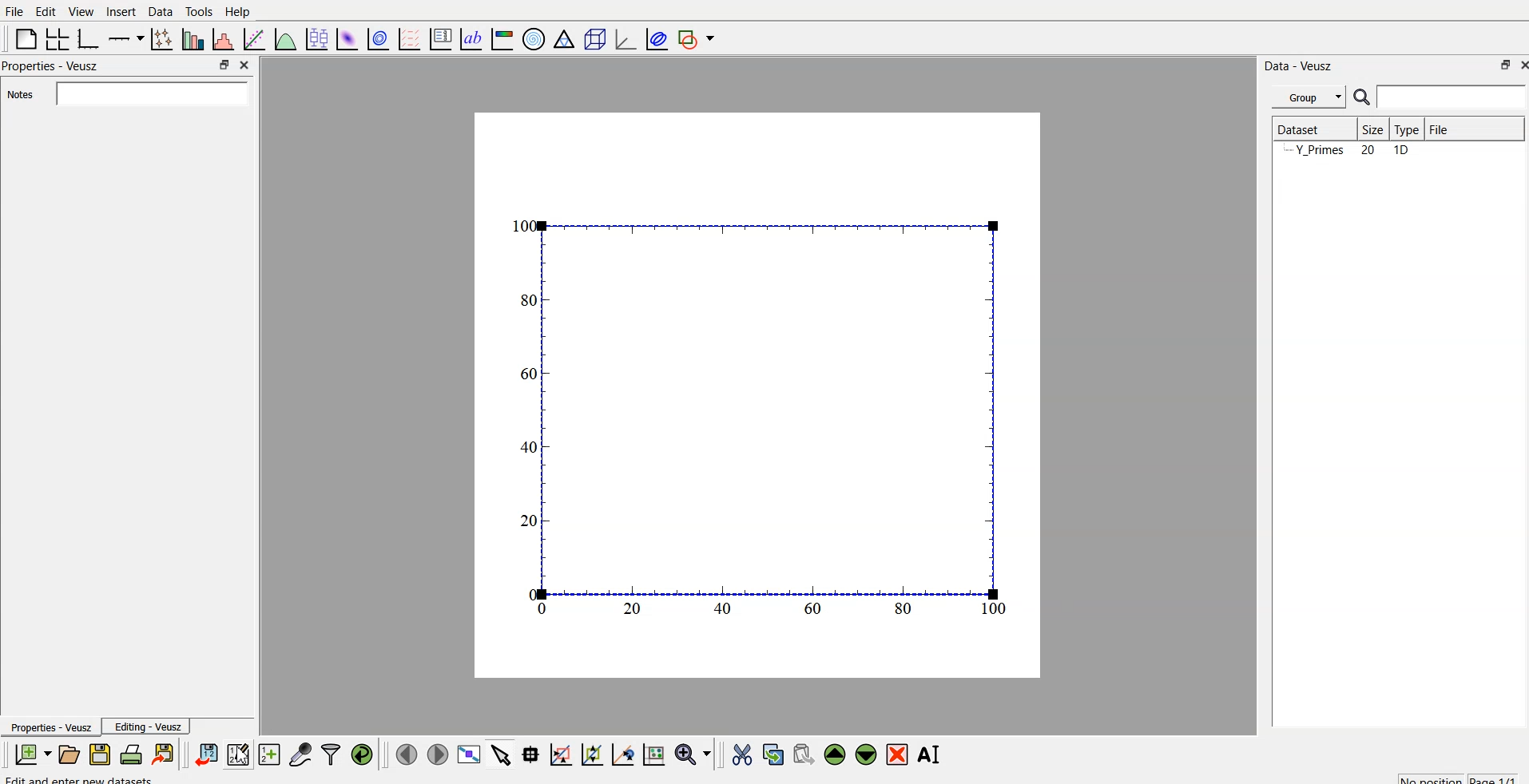  Describe the element at coordinates (207, 752) in the screenshot. I see `import data` at that location.